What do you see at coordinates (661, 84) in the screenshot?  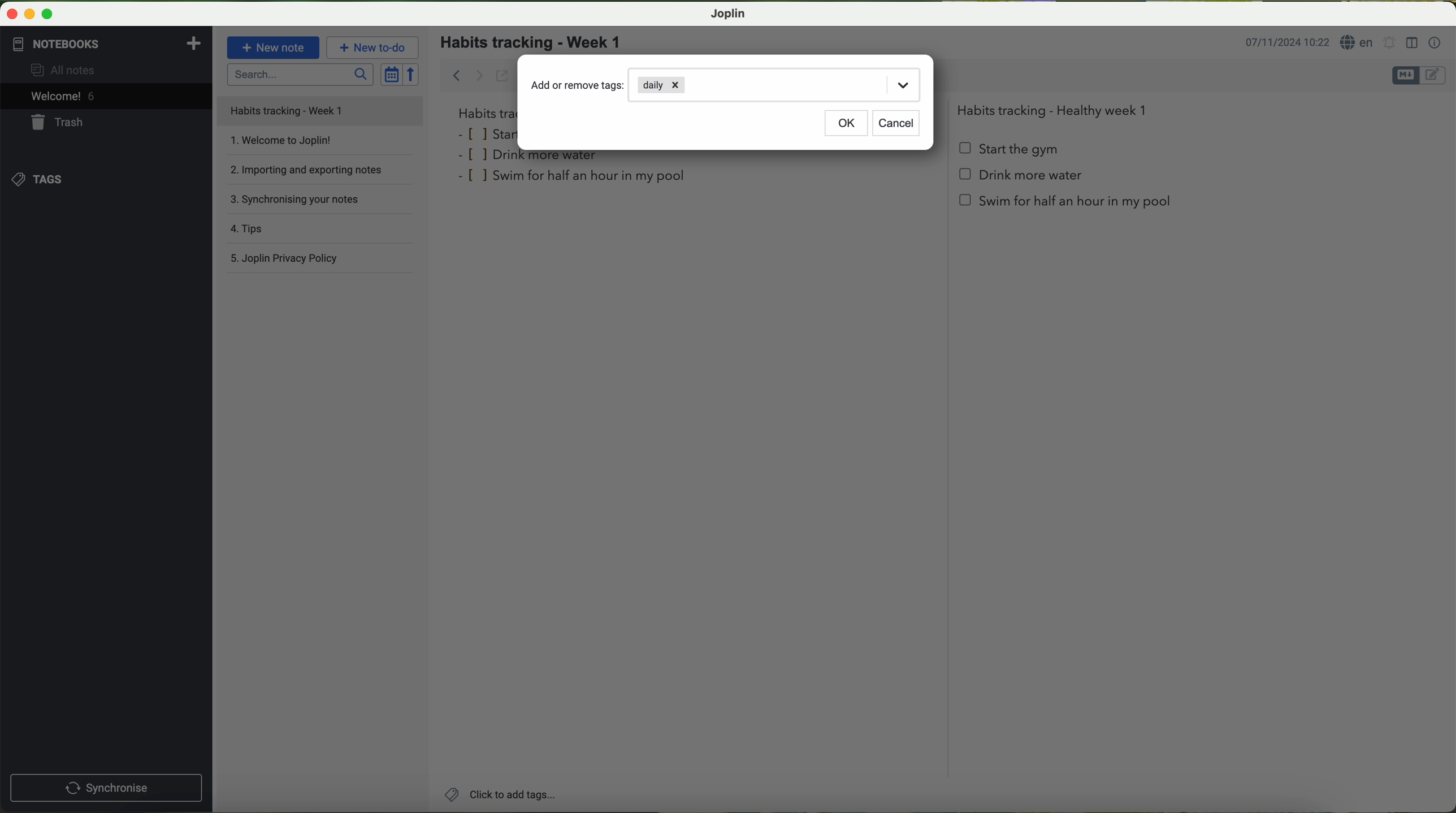 I see `daily tag` at bounding box center [661, 84].